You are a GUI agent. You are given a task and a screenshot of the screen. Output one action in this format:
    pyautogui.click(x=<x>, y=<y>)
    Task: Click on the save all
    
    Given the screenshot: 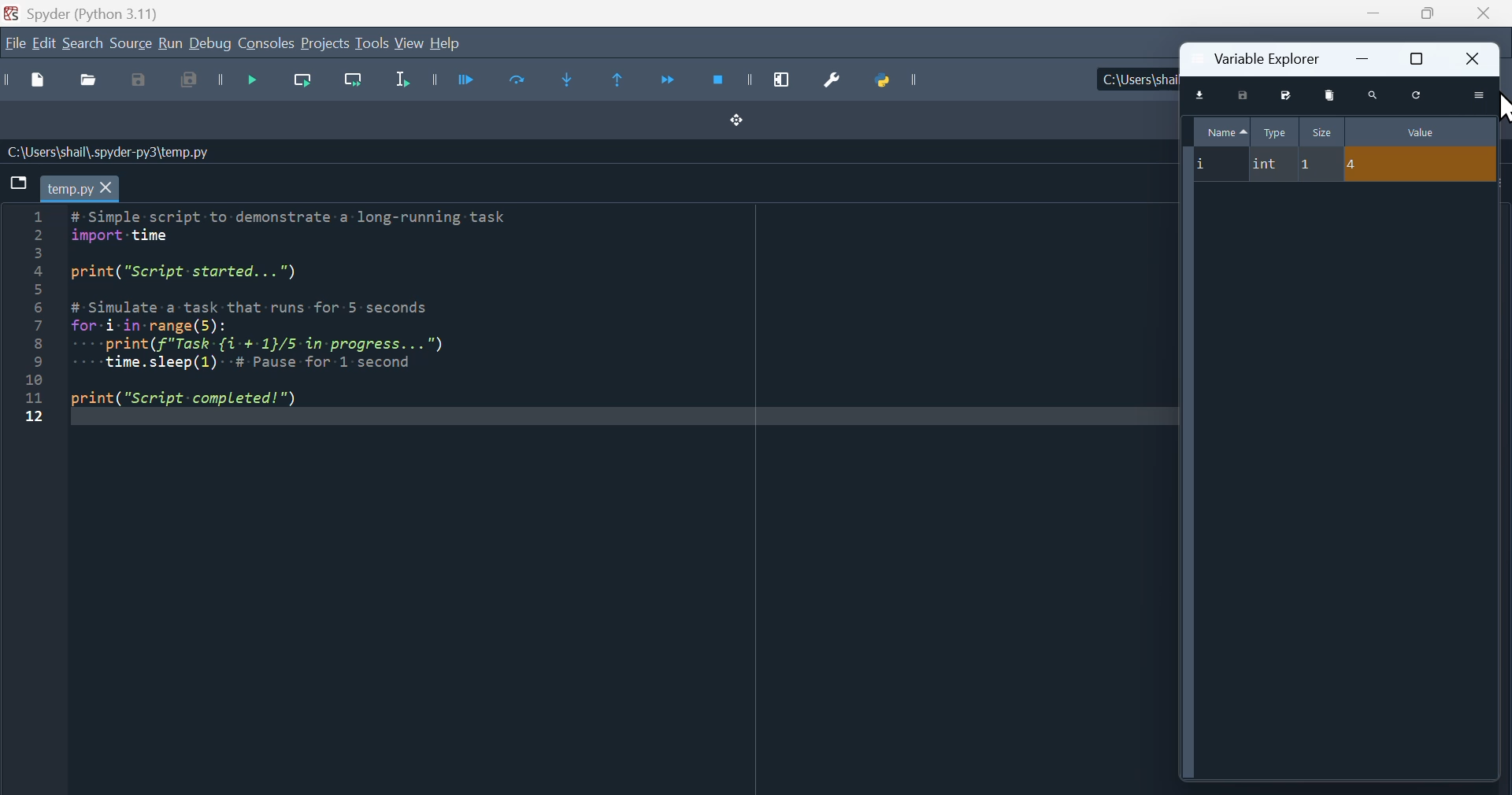 What is the action you would take?
    pyautogui.click(x=191, y=85)
    